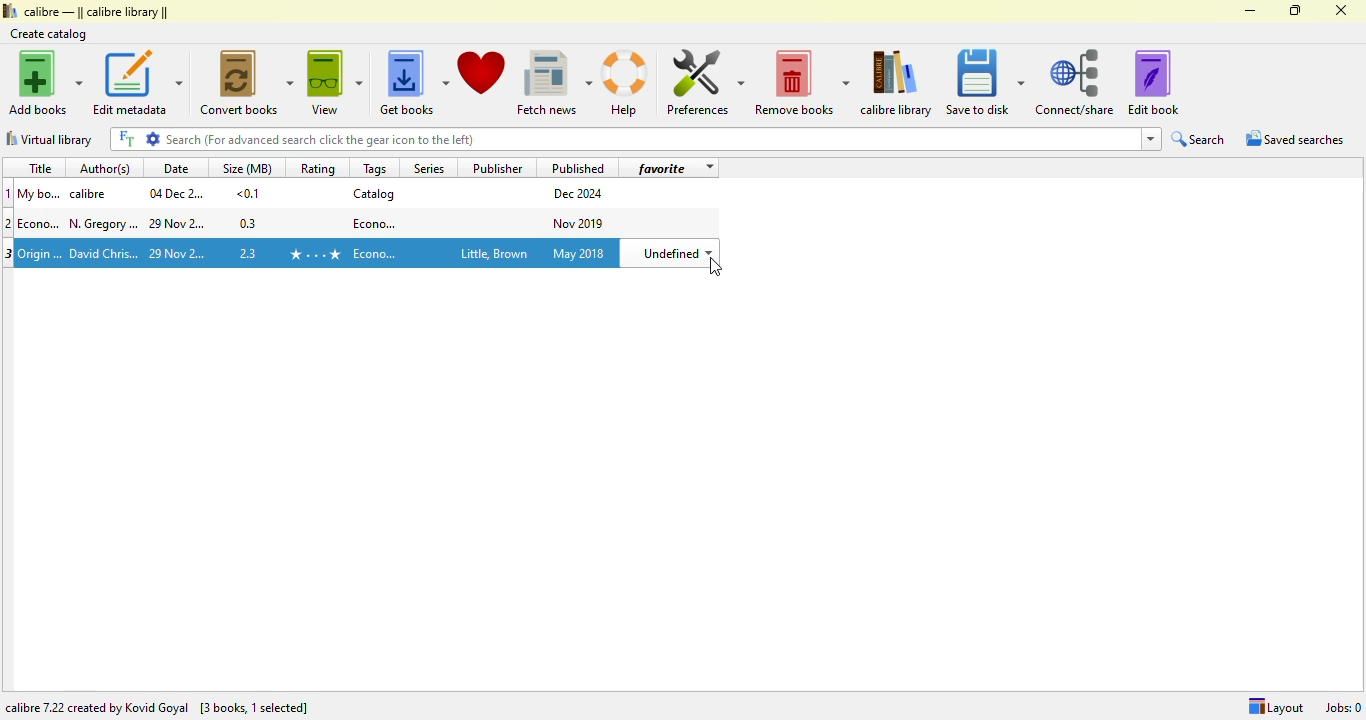  Describe the element at coordinates (802, 83) in the screenshot. I see `remove books` at that location.